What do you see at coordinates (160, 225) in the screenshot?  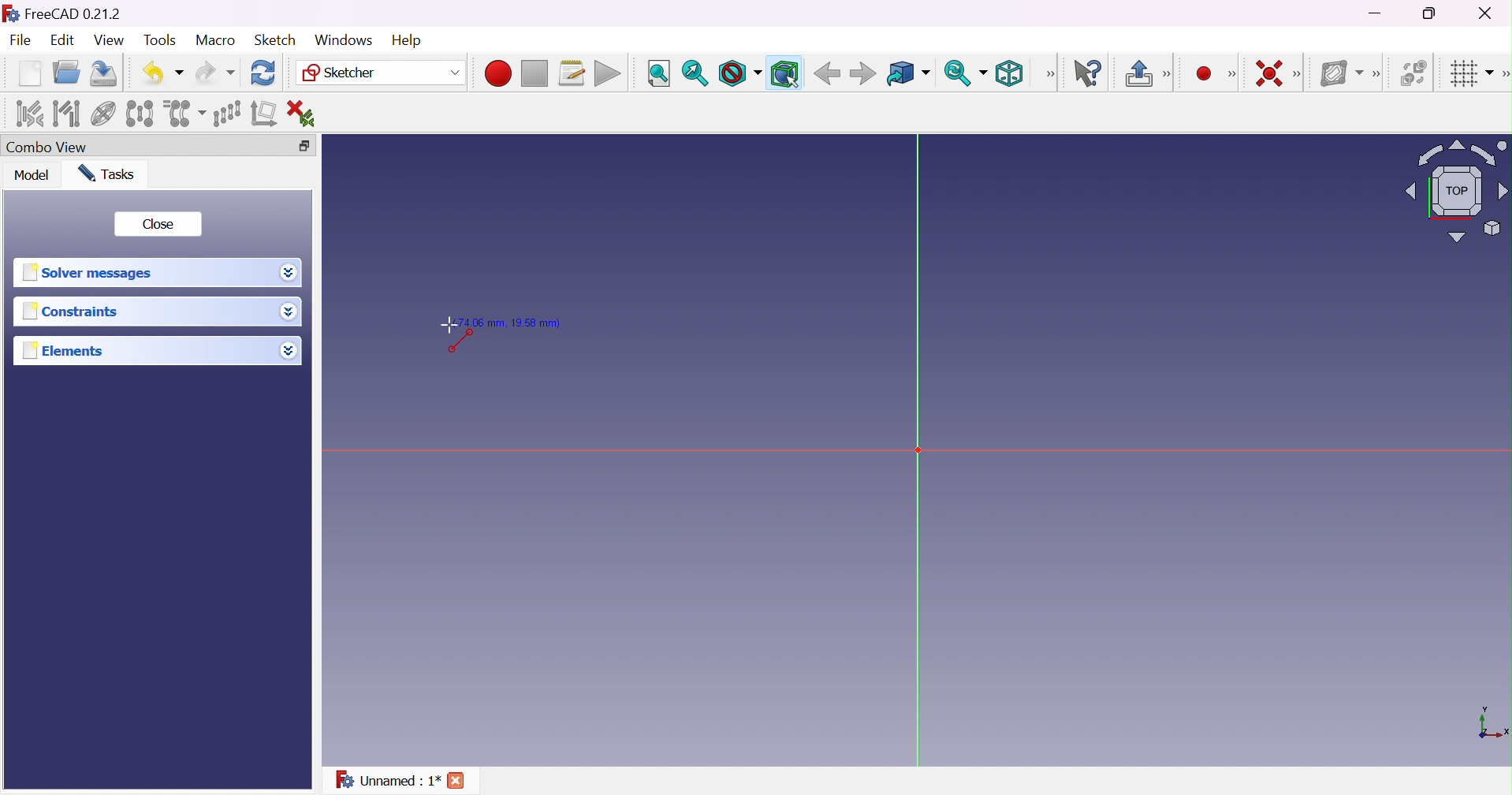 I see `Close` at bounding box center [160, 225].